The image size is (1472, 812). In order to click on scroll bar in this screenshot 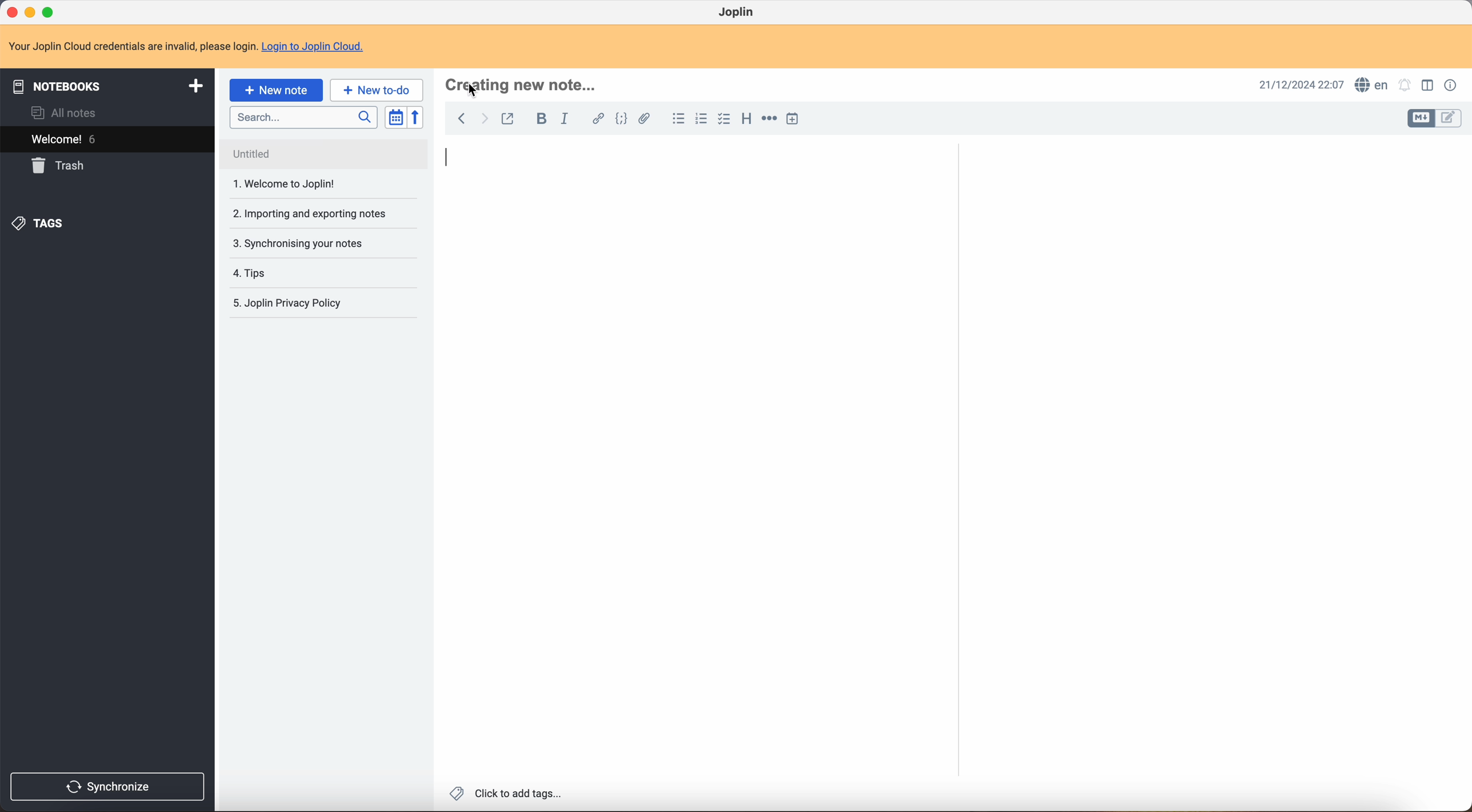, I will do `click(1463, 360)`.